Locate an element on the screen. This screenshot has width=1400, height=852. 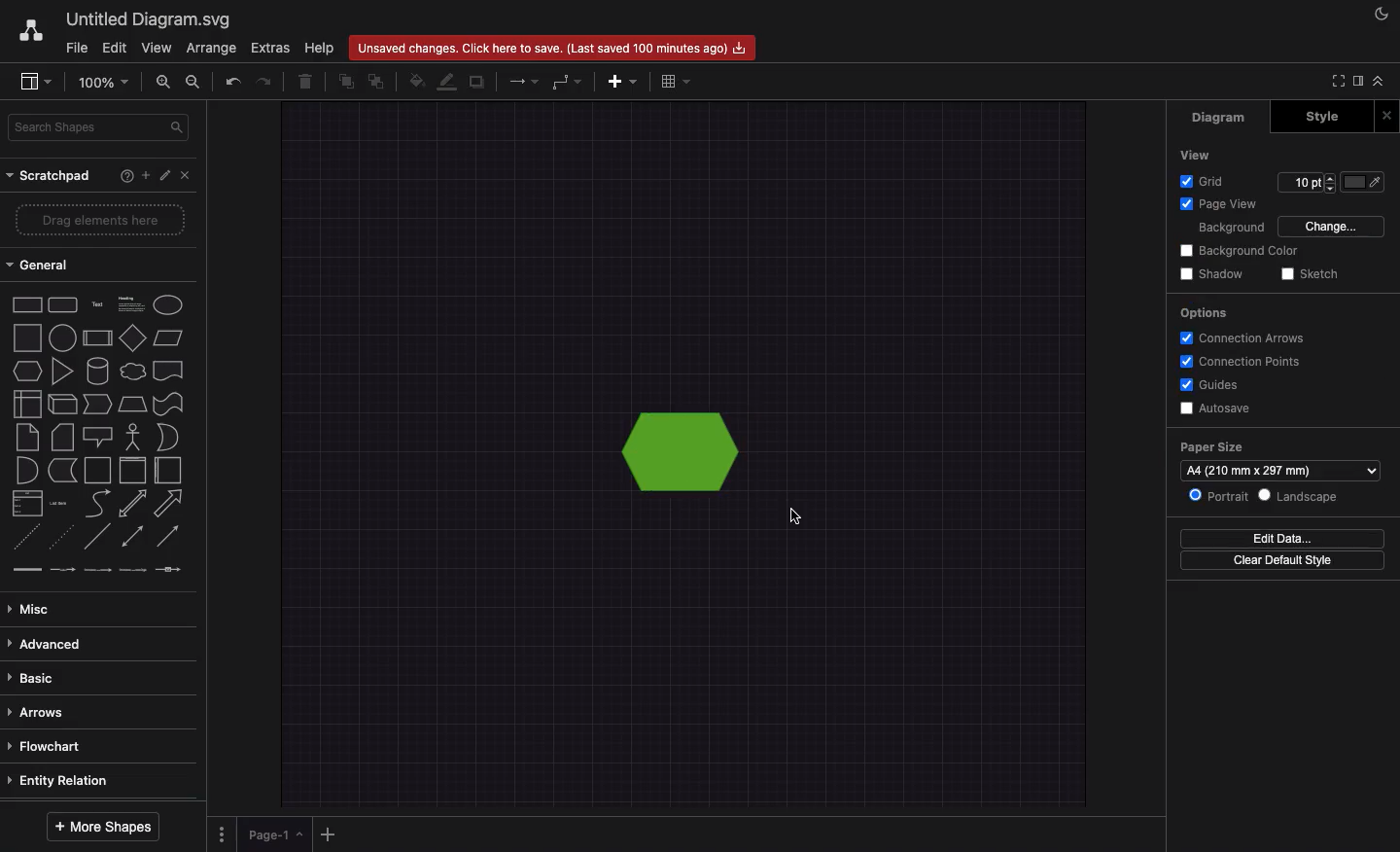
Guides is located at coordinates (1213, 383).